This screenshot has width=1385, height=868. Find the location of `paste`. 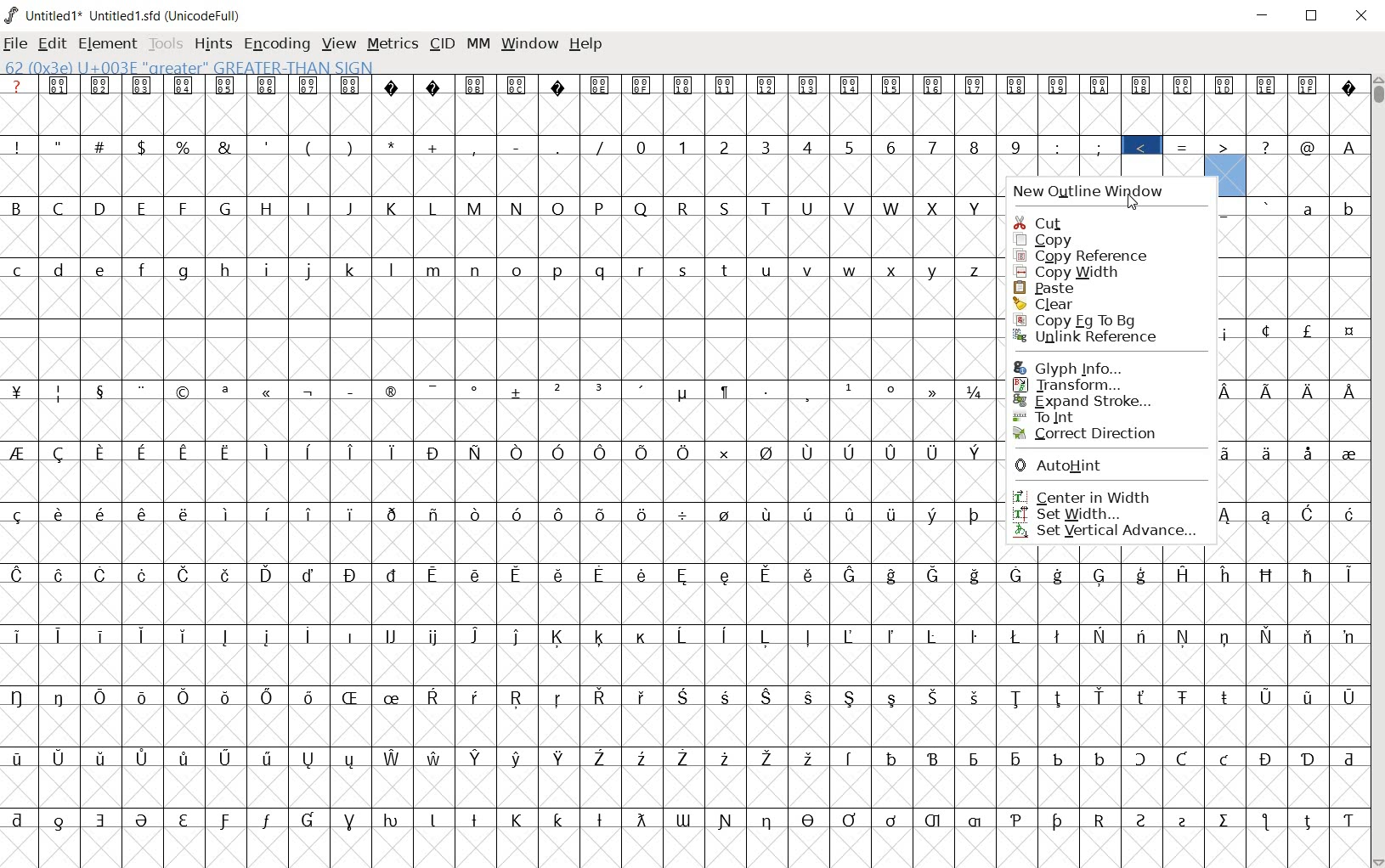

paste is located at coordinates (1054, 288).